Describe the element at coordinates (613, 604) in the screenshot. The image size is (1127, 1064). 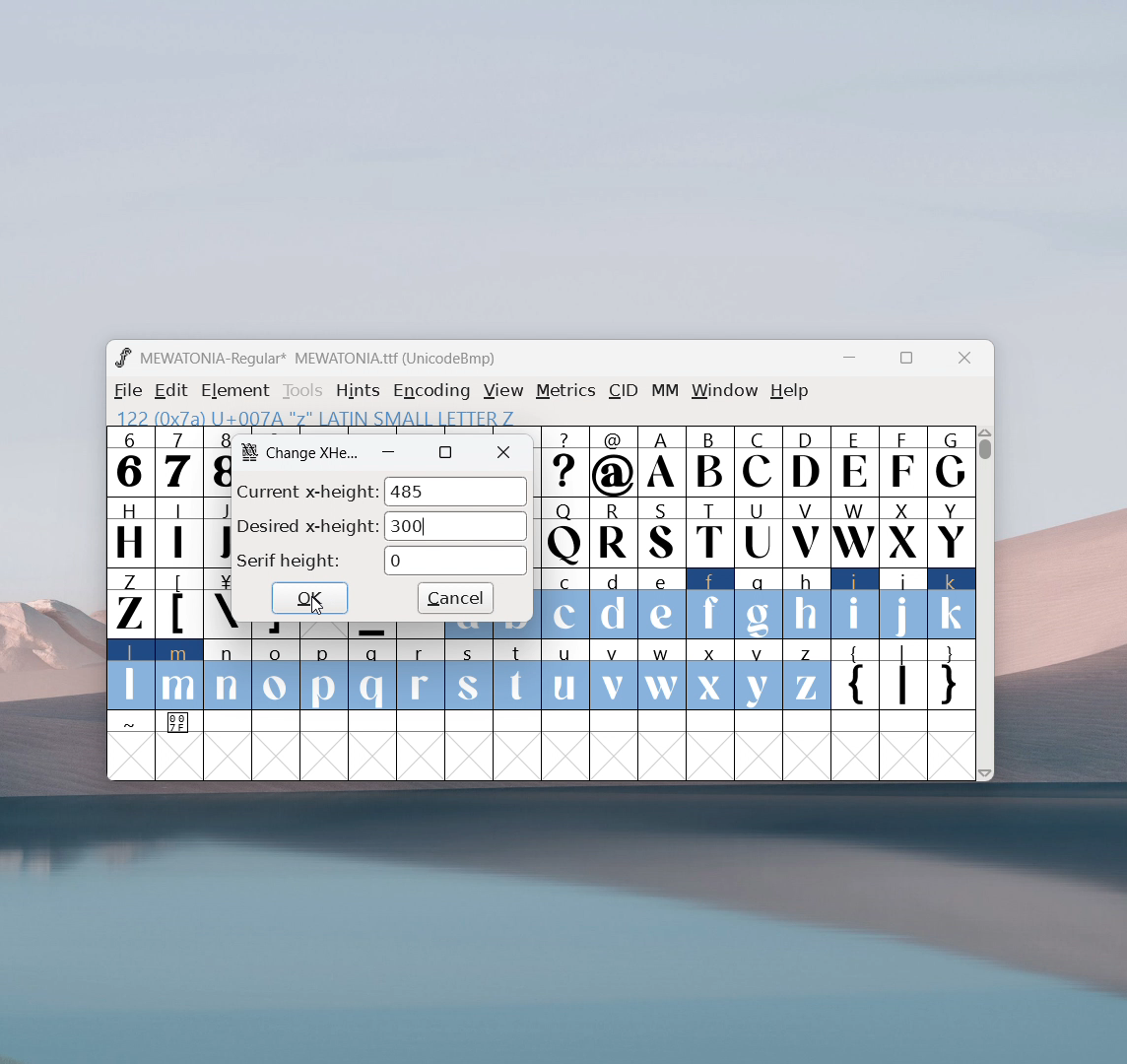
I see `d` at that location.